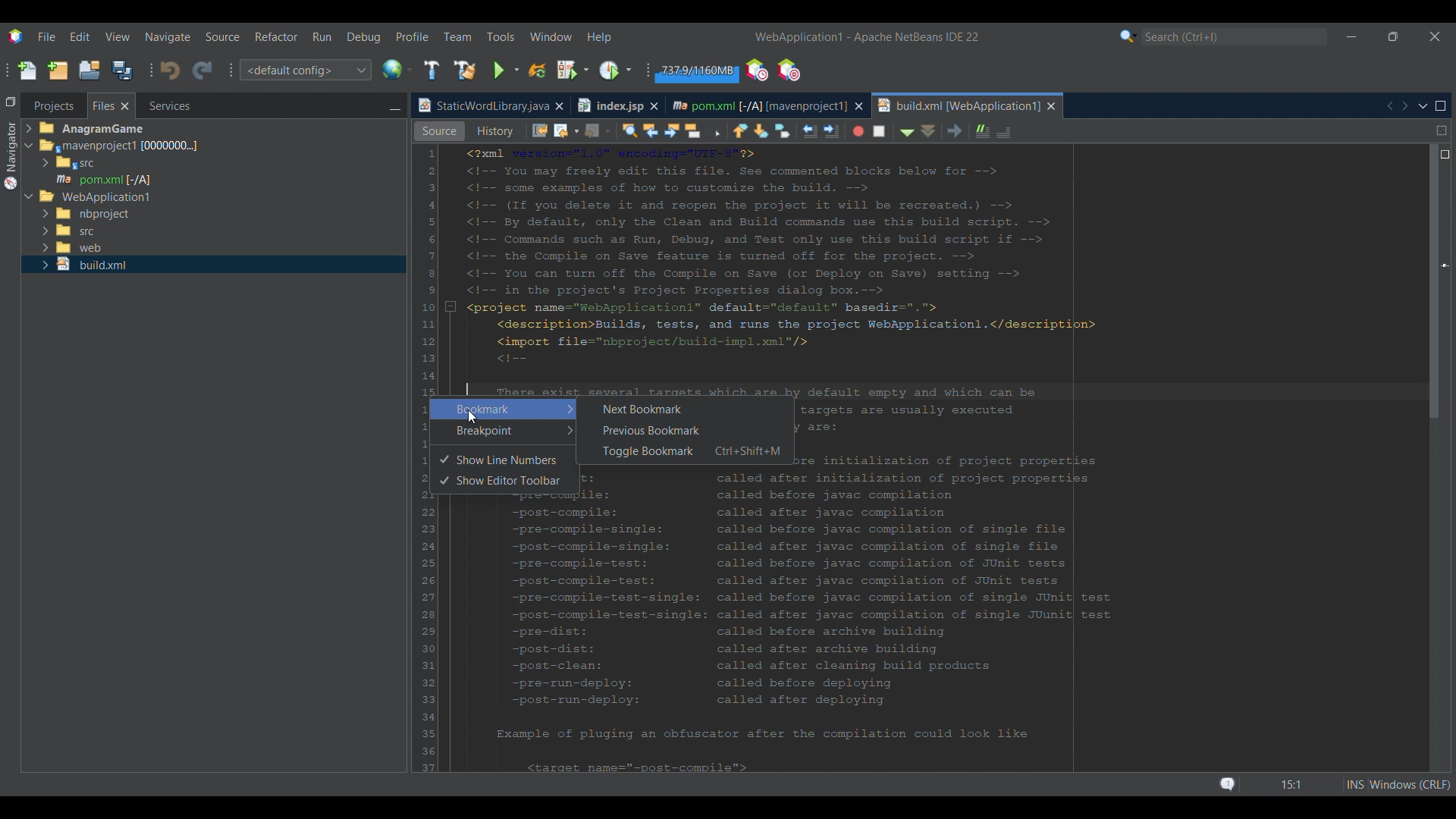 Image resolution: width=1456 pixels, height=819 pixels. I want to click on Search, so click(1235, 37).